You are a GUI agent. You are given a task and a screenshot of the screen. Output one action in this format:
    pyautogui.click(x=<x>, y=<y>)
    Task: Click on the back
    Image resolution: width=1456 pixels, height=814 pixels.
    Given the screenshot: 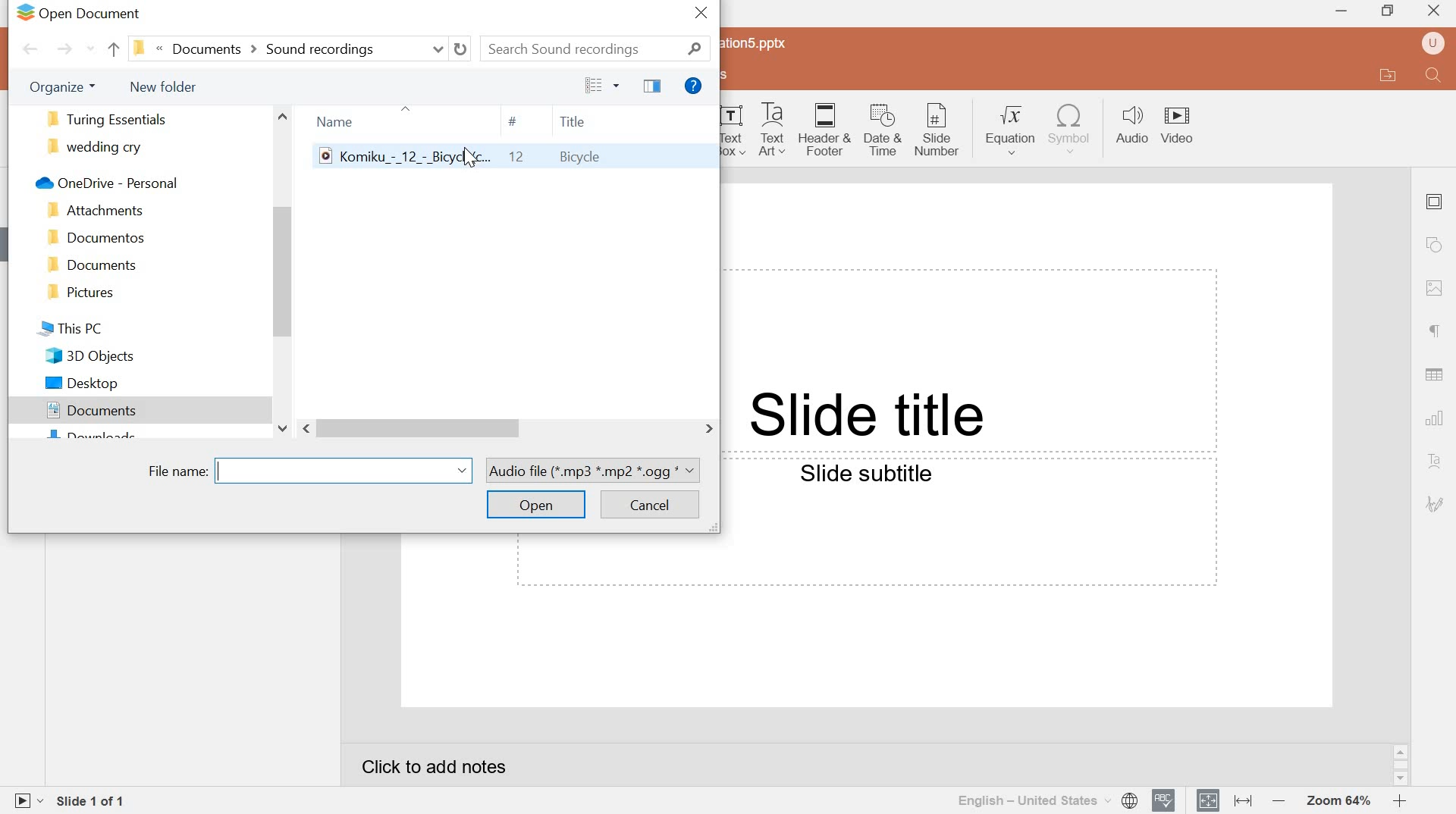 What is the action you would take?
    pyautogui.click(x=30, y=48)
    